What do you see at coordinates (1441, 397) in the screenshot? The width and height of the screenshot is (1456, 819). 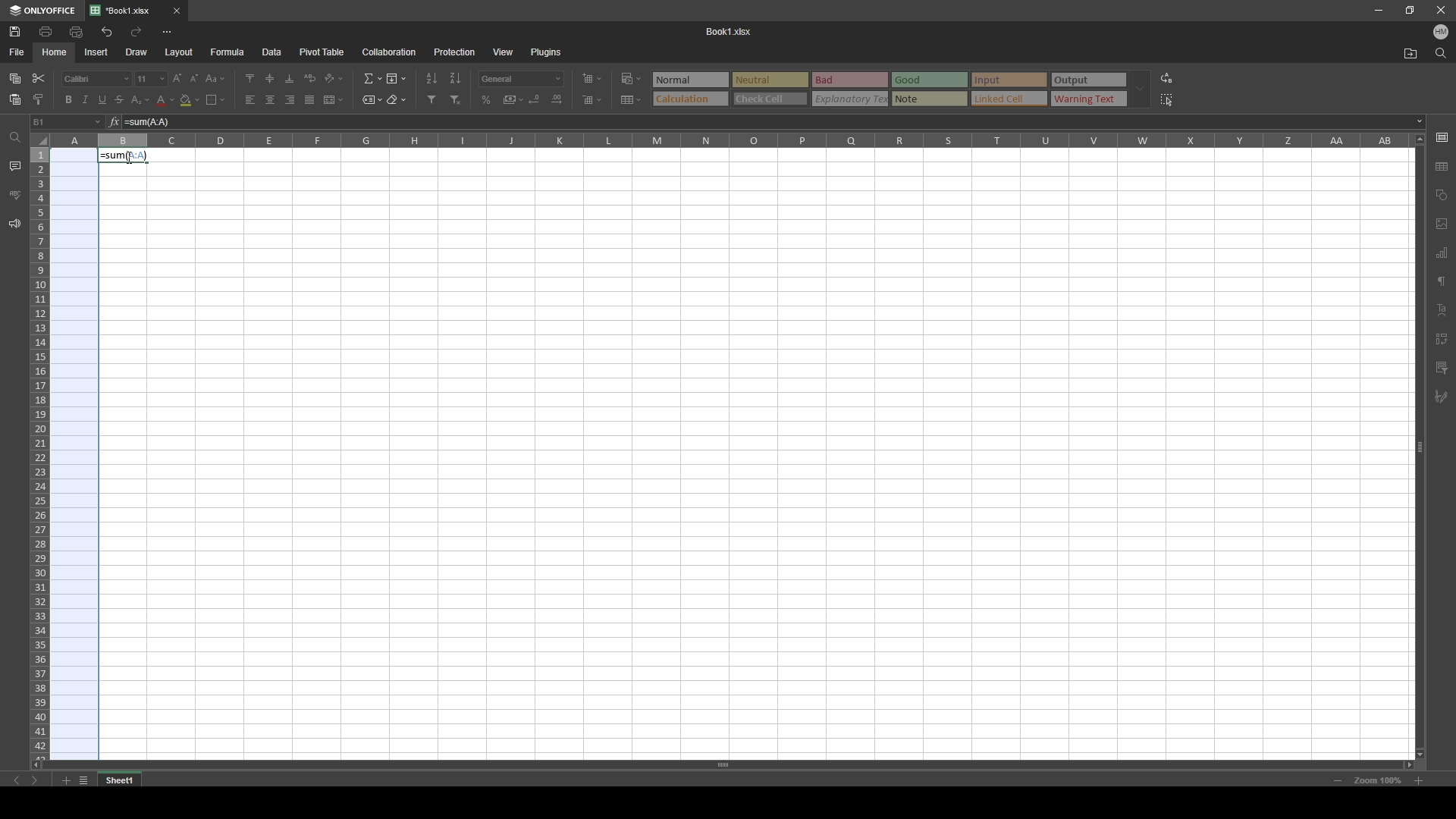 I see `pen and brush` at bounding box center [1441, 397].